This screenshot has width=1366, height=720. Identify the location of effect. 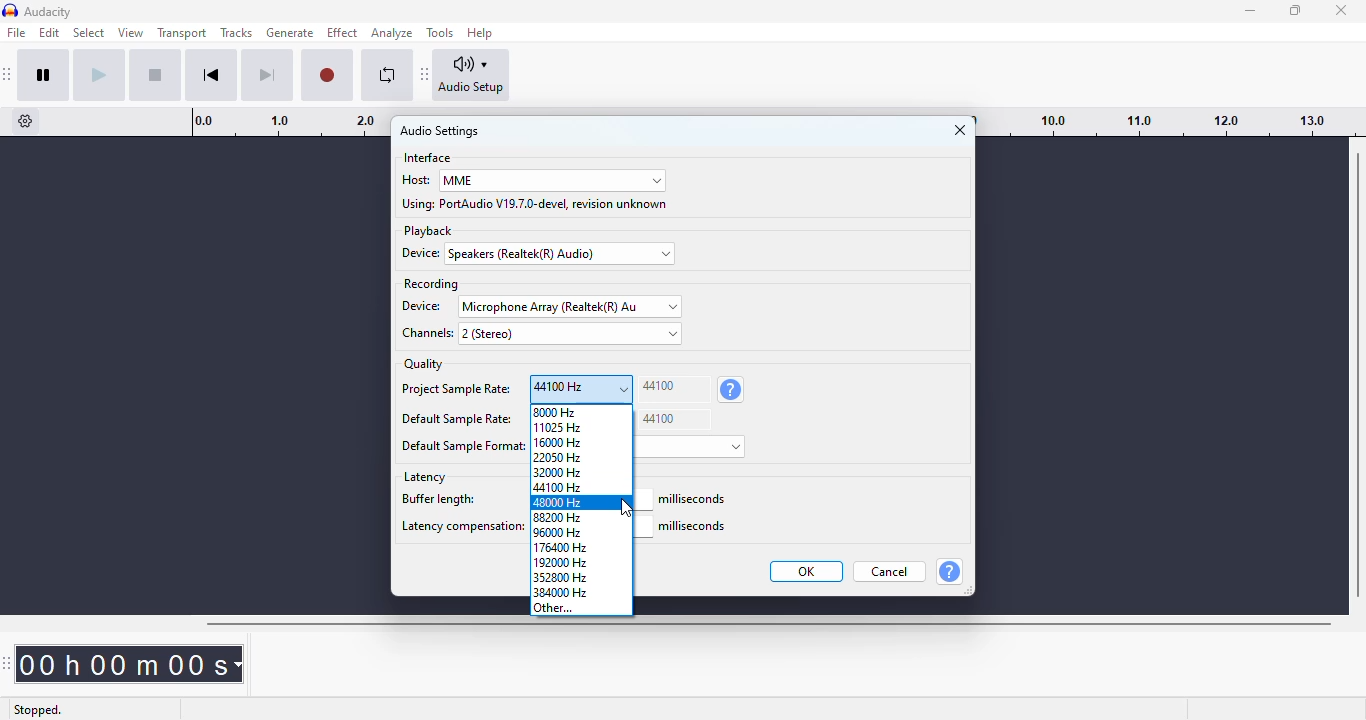
(342, 33).